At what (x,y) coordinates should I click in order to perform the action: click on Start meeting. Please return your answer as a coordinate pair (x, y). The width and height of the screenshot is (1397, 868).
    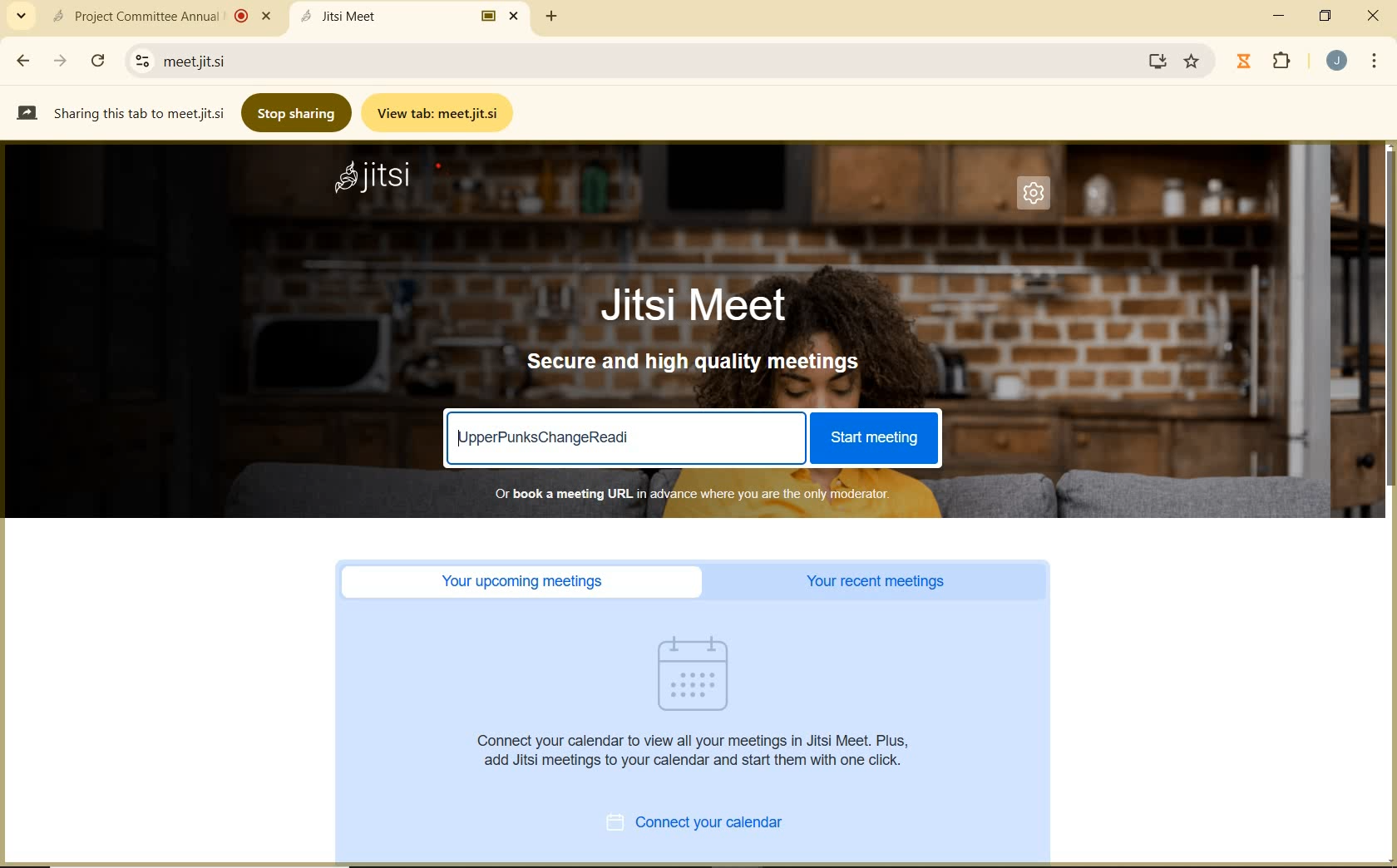
    Looking at the image, I should click on (872, 438).